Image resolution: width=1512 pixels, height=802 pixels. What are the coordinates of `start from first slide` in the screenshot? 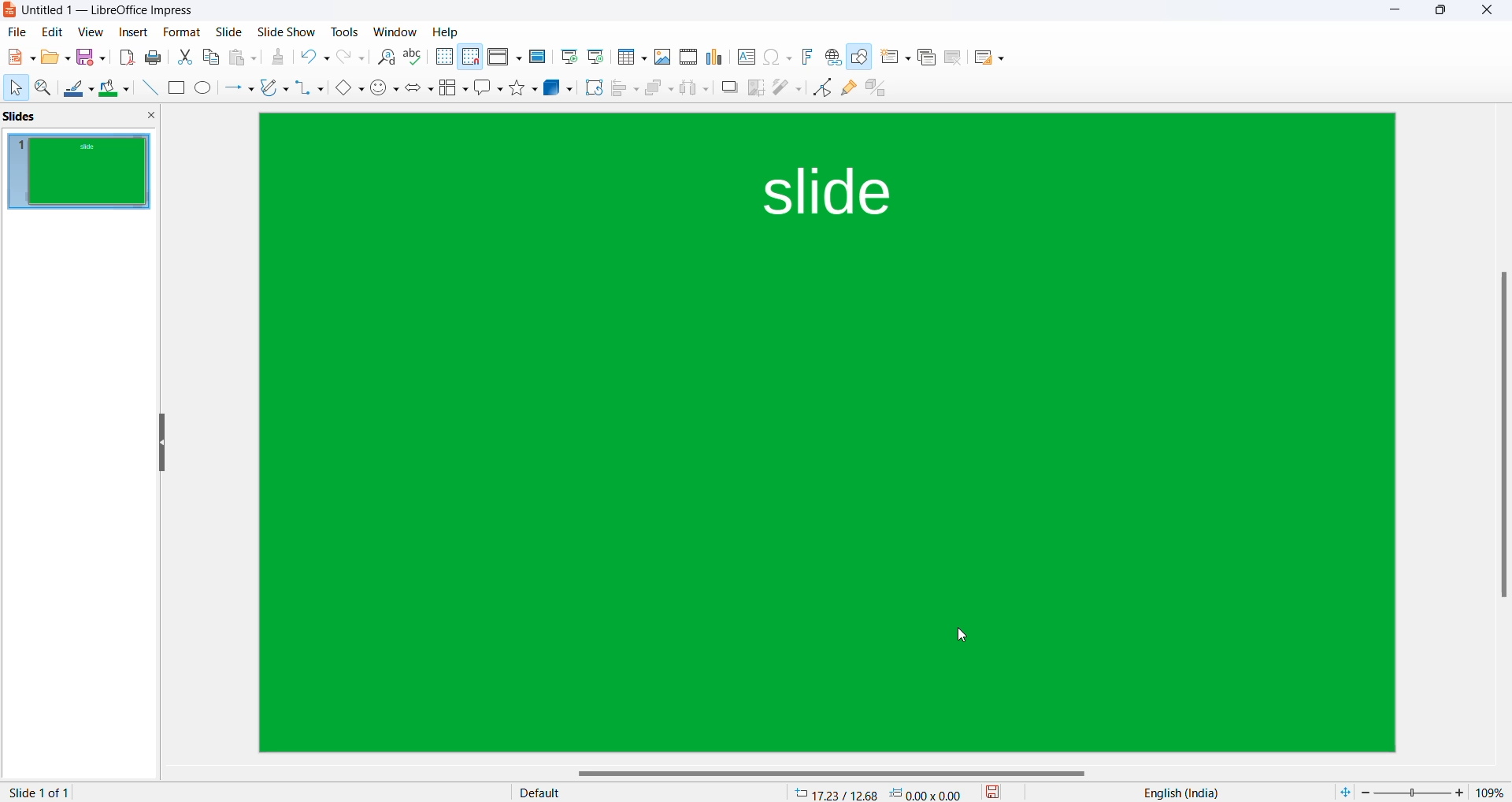 It's located at (568, 57).